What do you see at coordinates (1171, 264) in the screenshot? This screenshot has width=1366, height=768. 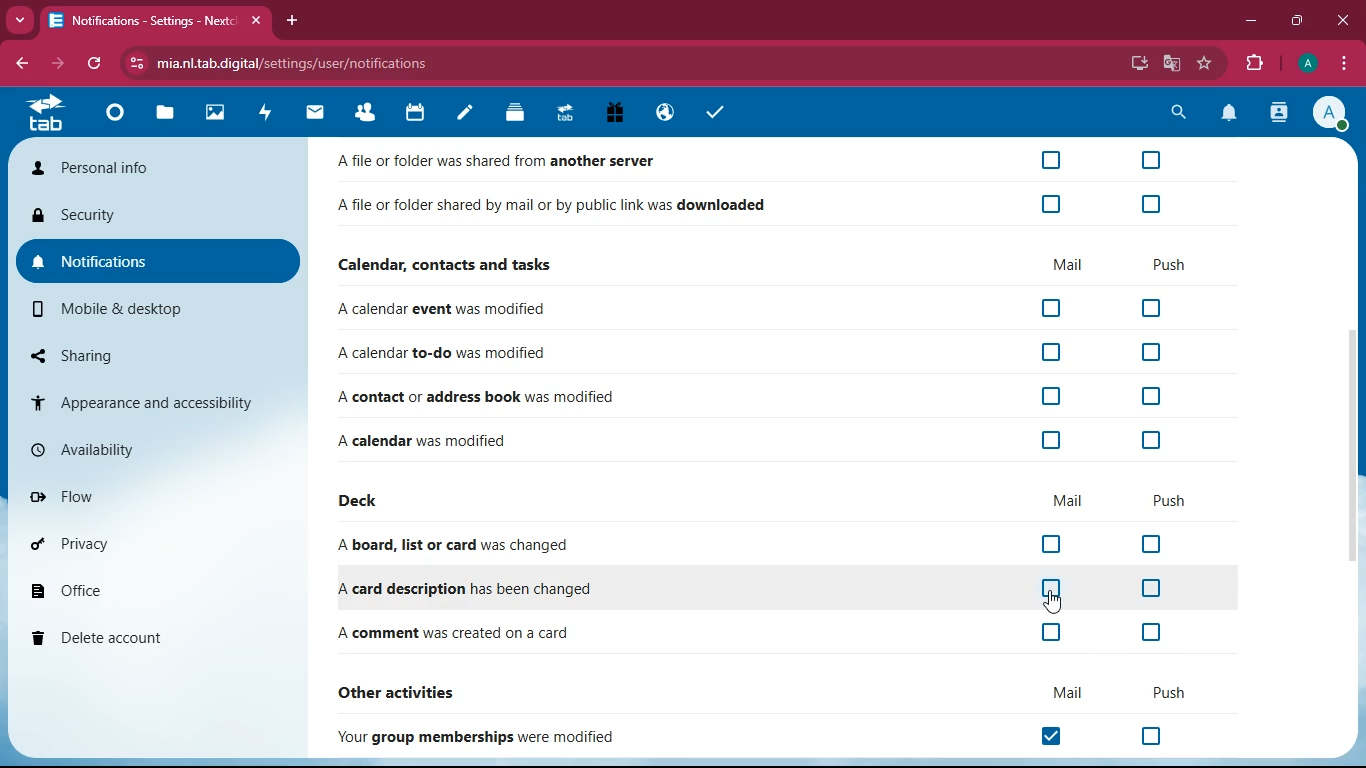 I see `push` at bounding box center [1171, 264].